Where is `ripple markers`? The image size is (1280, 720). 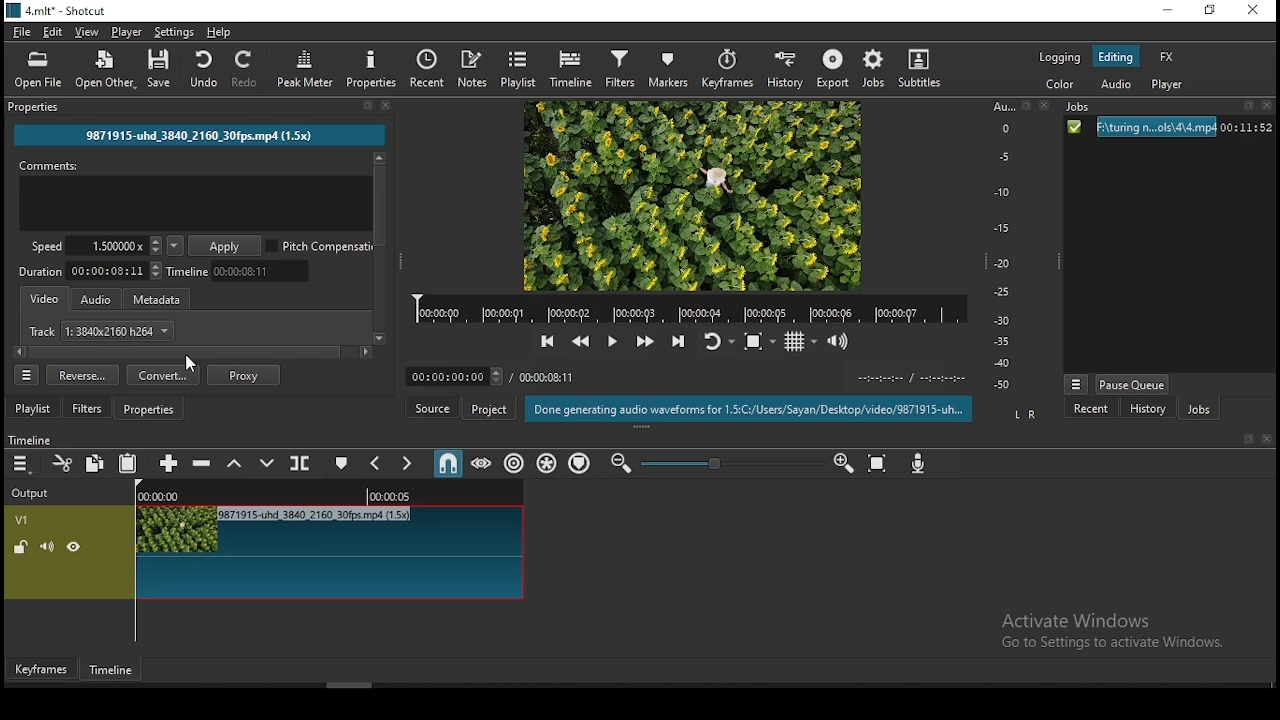
ripple markers is located at coordinates (579, 462).